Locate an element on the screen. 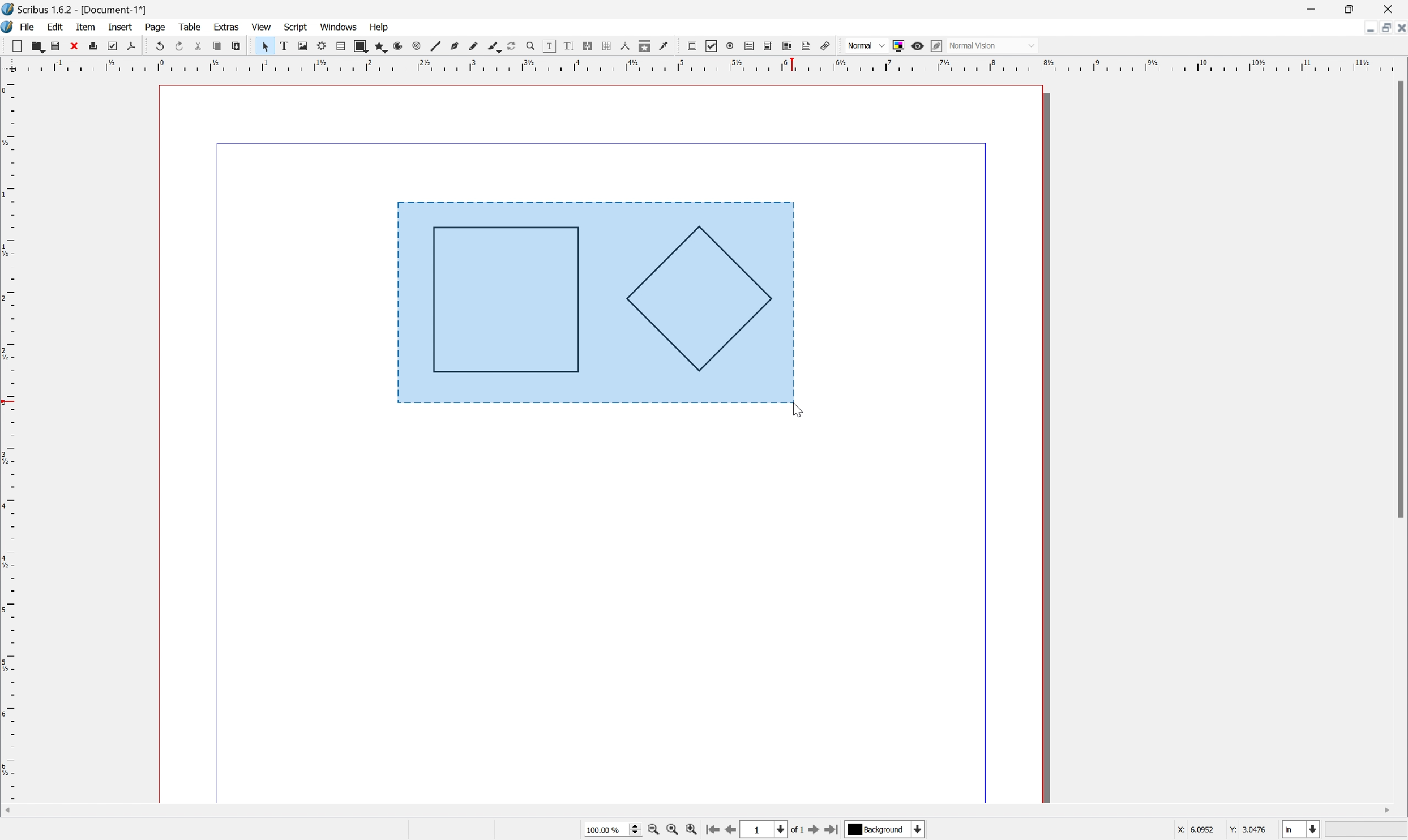  Toggle color management system is located at coordinates (900, 46).